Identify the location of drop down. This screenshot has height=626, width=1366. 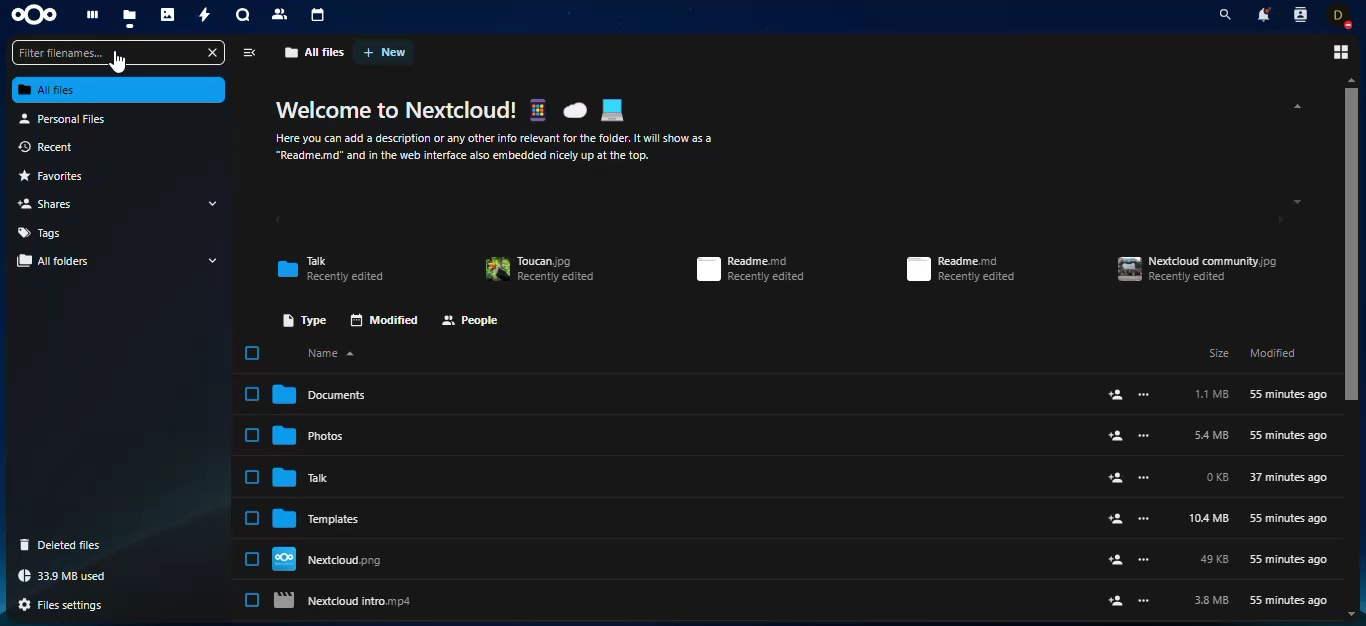
(212, 203).